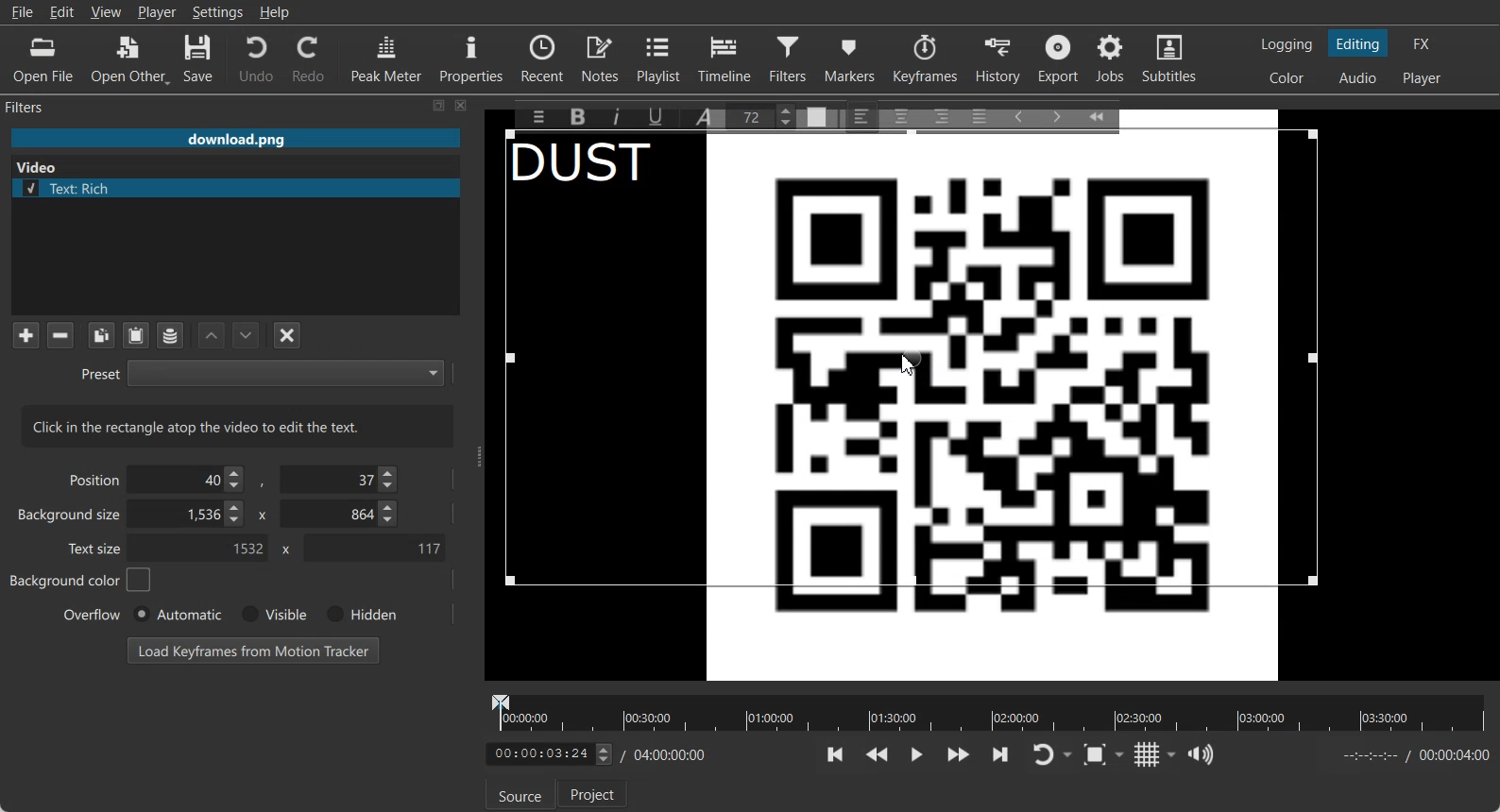 Image resolution: width=1500 pixels, height=812 pixels. Describe the element at coordinates (341, 516) in the screenshot. I see `Background size Y- Co-ordinate` at that location.